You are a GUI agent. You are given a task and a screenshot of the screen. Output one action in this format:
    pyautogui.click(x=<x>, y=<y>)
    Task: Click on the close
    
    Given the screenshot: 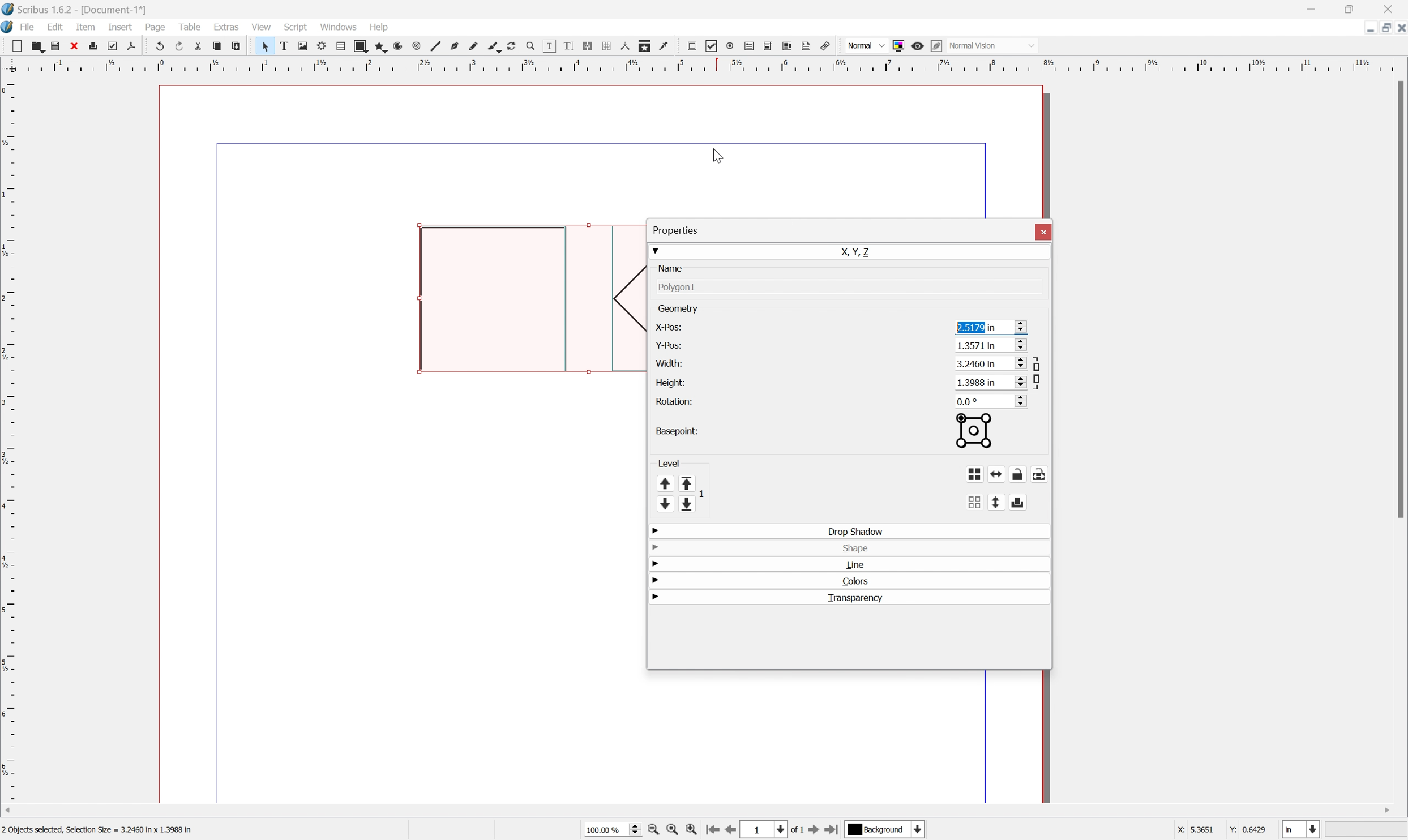 What is the action you would take?
    pyautogui.click(x=1043, y=232)
    